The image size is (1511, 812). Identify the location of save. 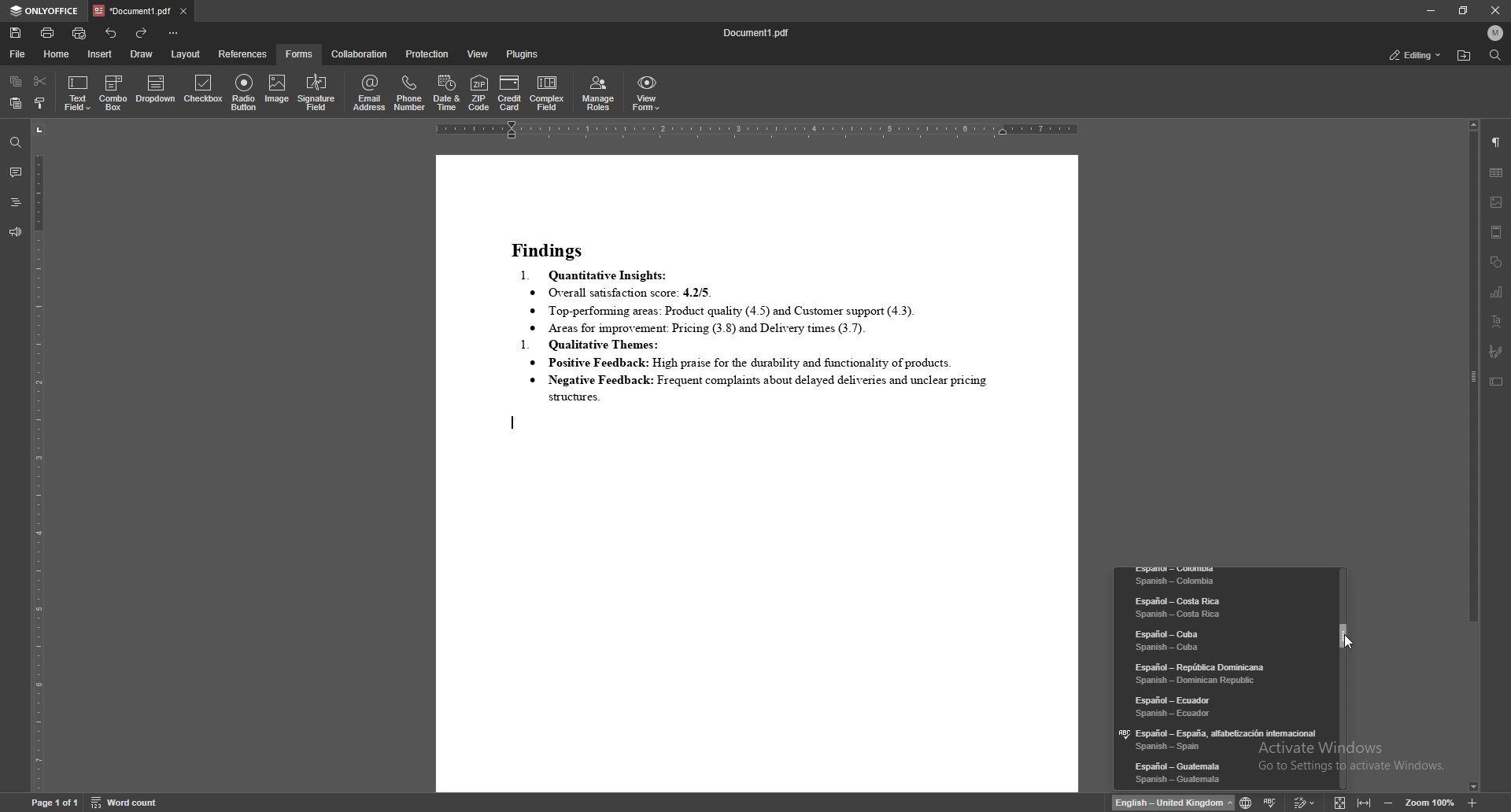
(16, 33).